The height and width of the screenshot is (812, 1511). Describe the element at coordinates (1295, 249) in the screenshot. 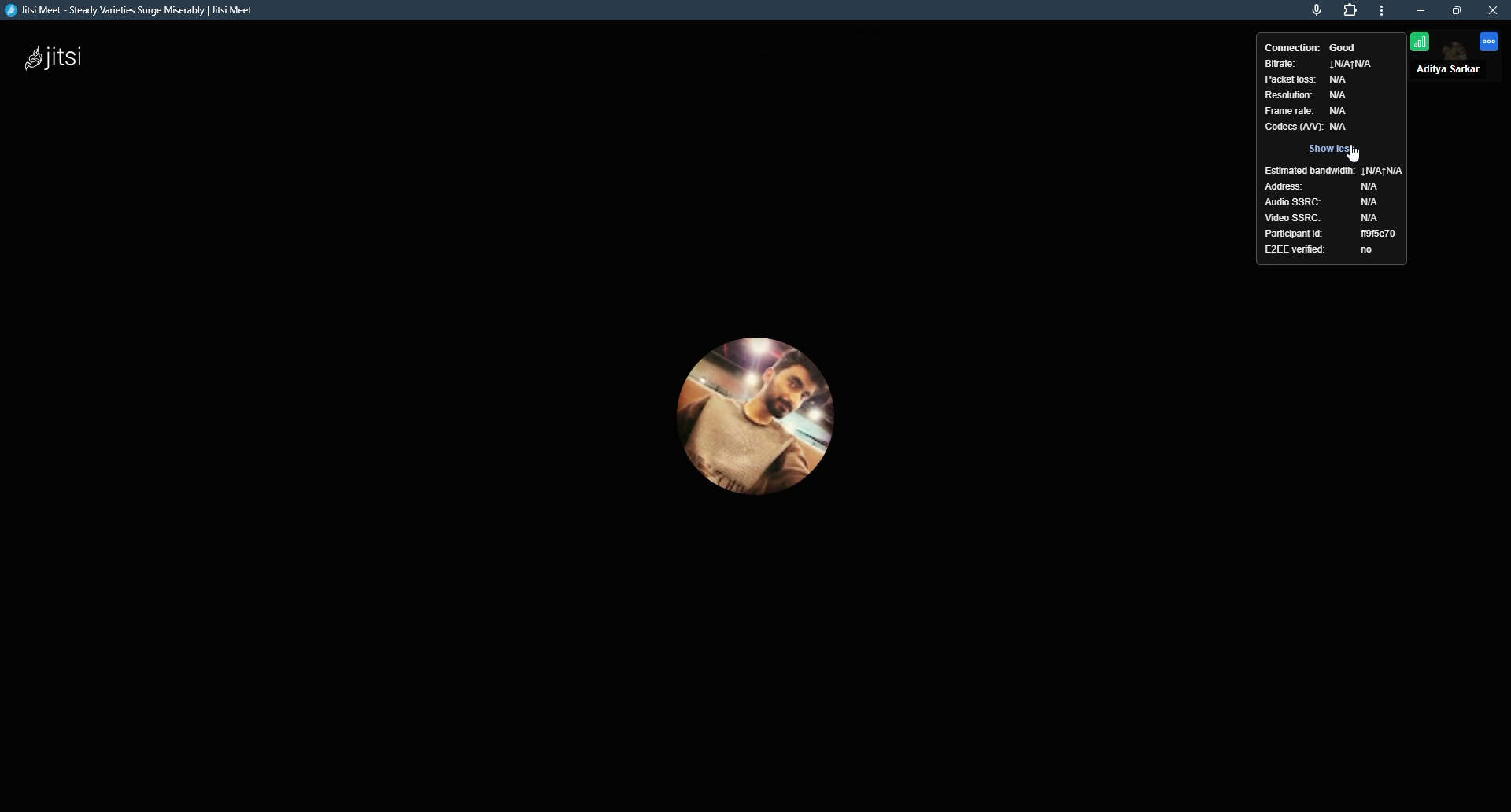

I see `e2ee verified` at that location.